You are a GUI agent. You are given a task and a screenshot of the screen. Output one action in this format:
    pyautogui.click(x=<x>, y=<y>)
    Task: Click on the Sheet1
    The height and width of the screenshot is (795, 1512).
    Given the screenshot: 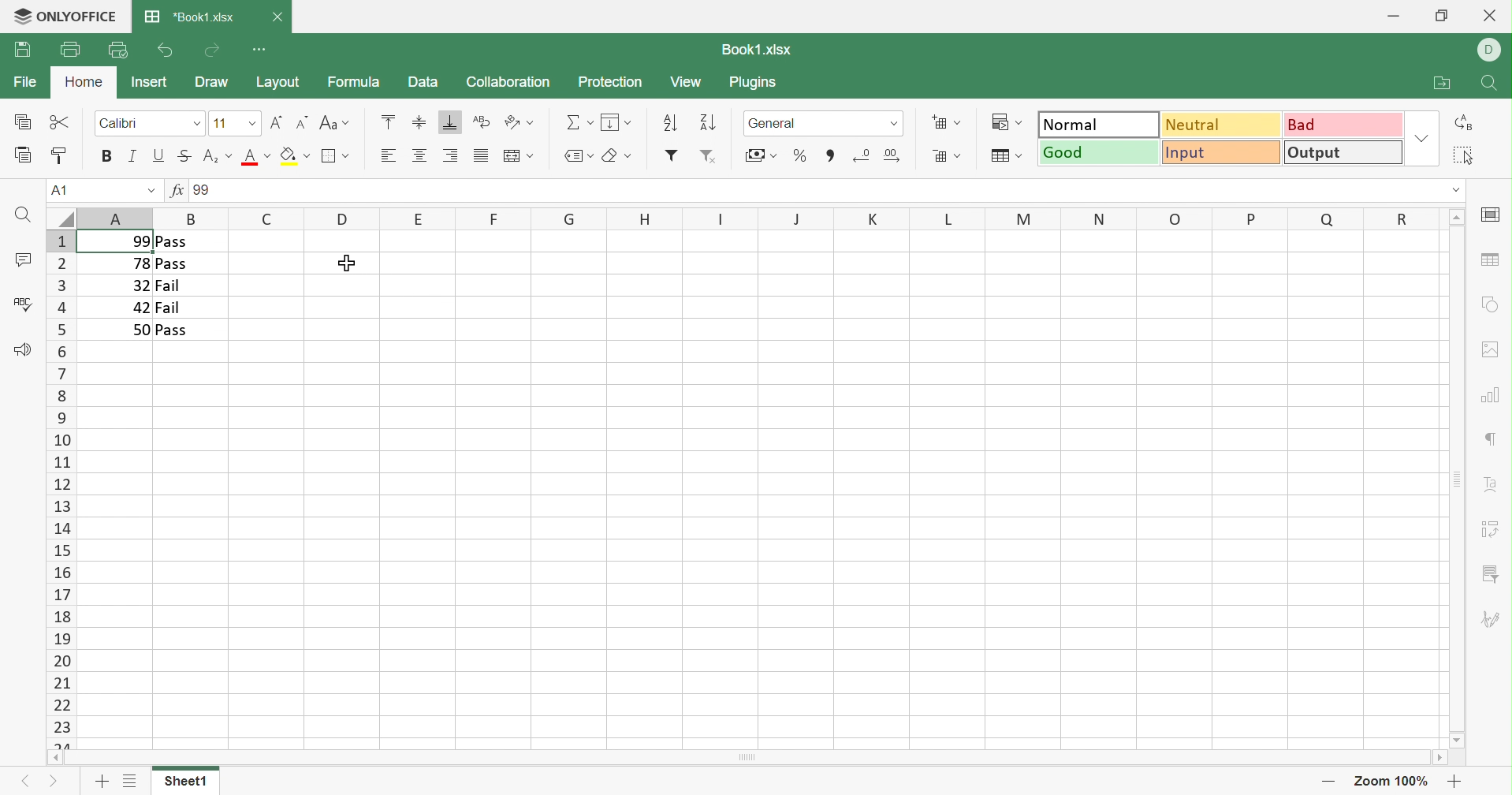 What is the action you would take?
    pyautogui.click(x=184, y=784)
    